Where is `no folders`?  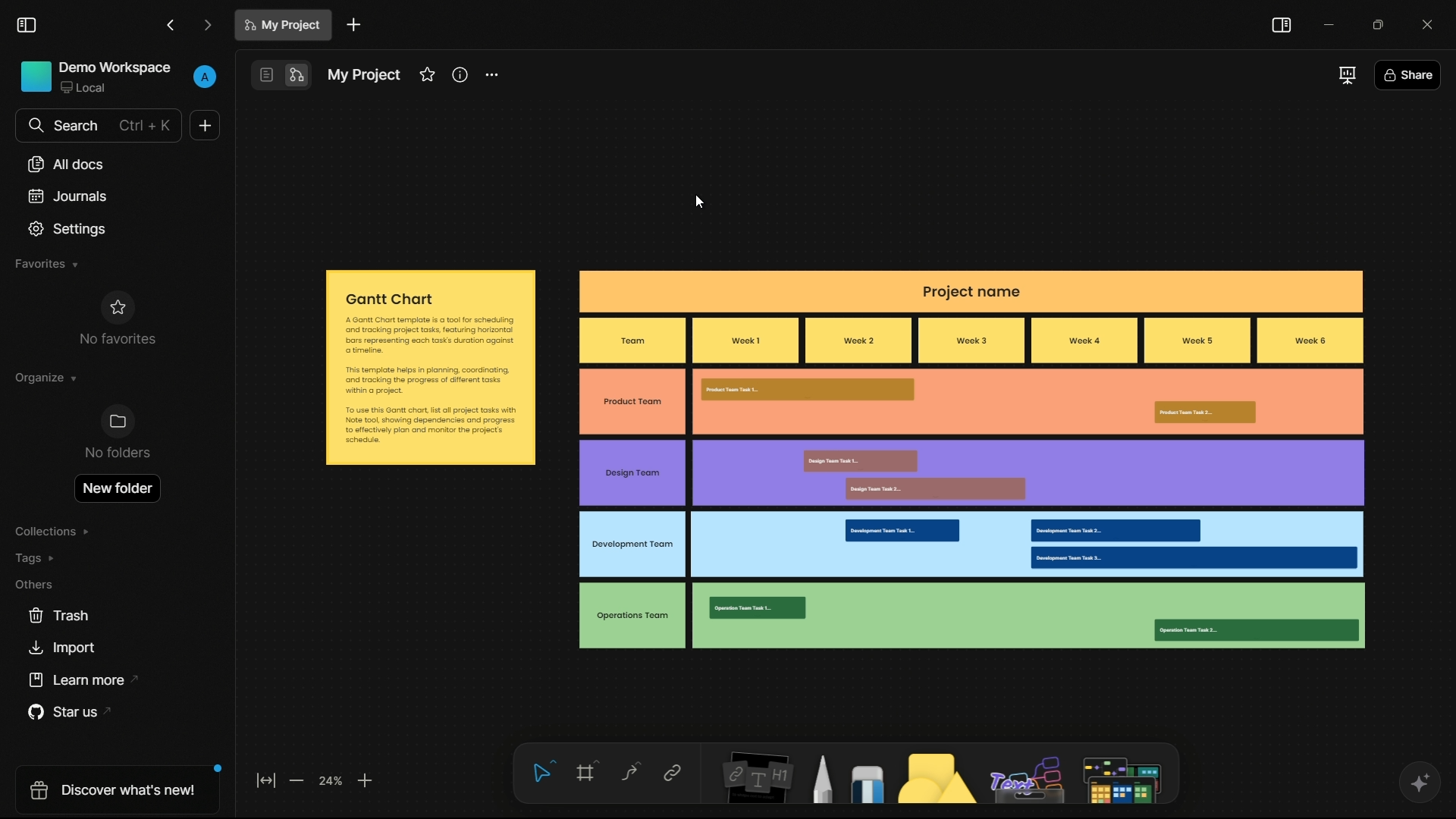 no folders is located at coordinates (117, 435).